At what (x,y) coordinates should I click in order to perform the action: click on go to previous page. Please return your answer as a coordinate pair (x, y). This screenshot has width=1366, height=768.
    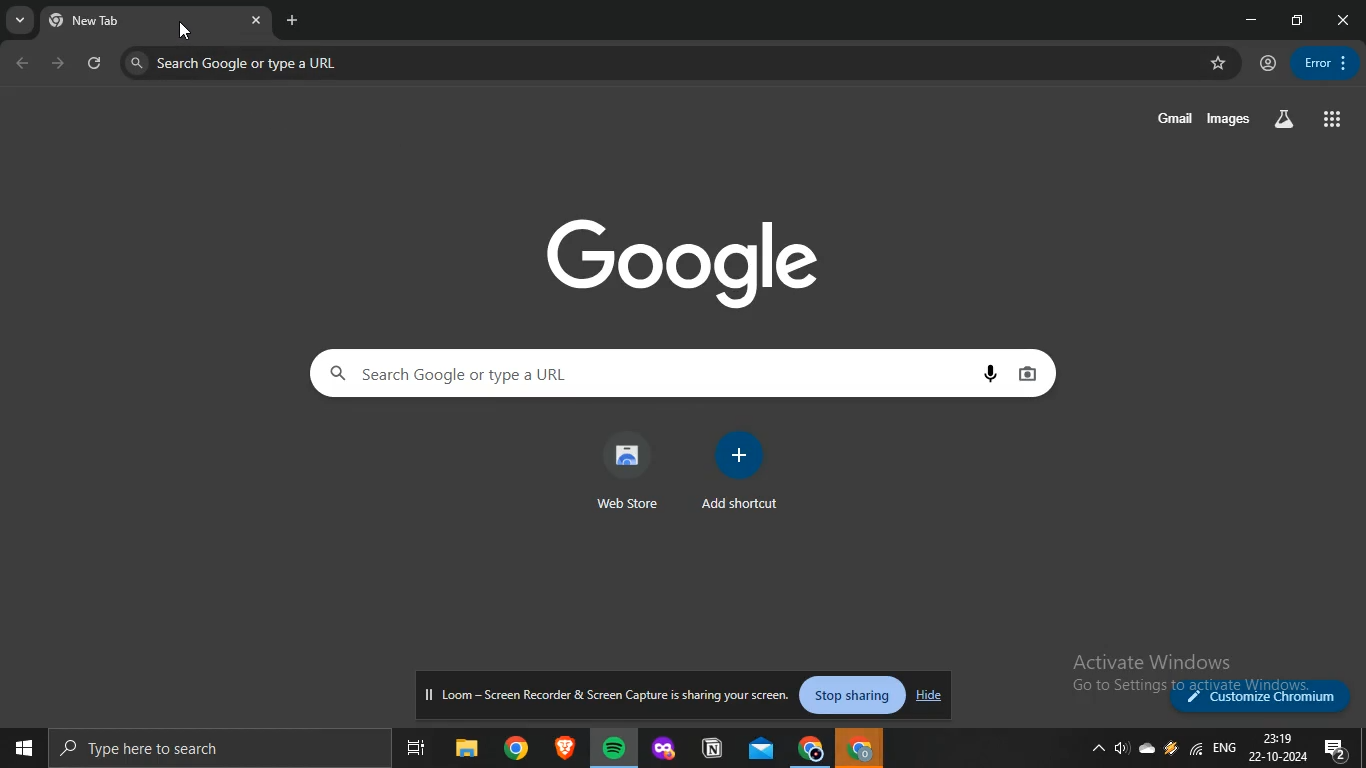
    Looking at the image, I should click on (24, 64).